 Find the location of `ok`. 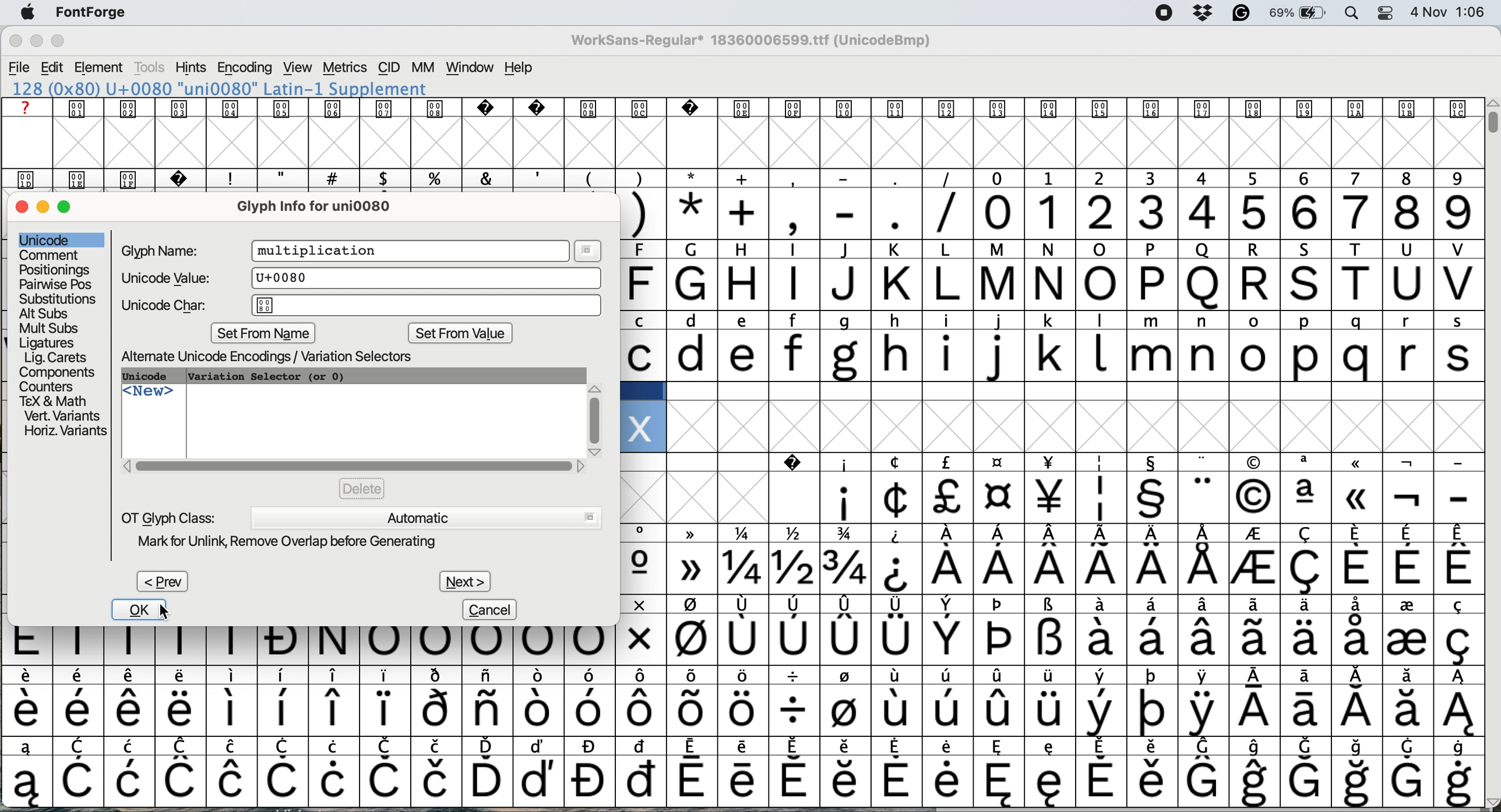

ok is located at coordinates (133, 610).